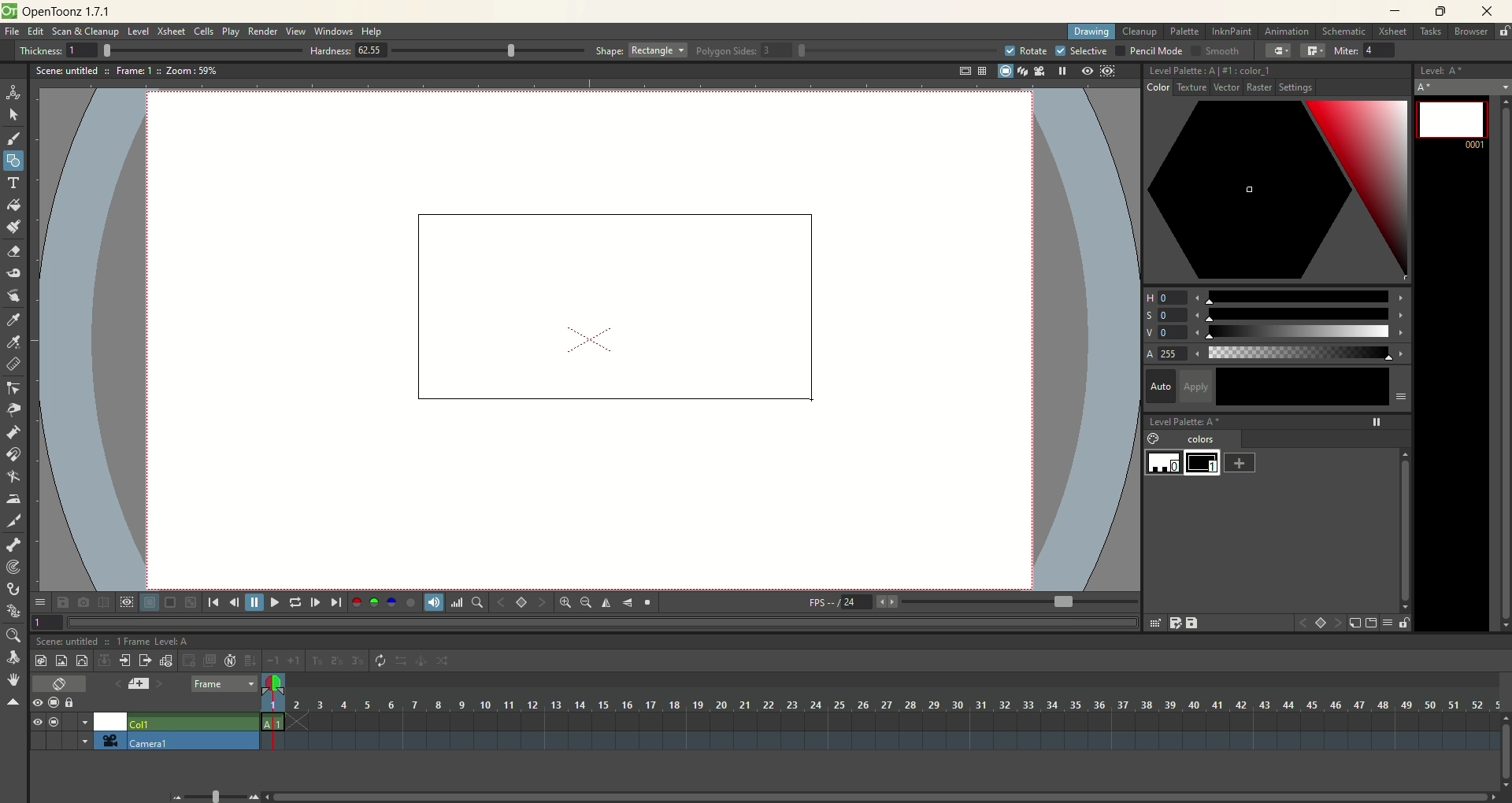  What do you see at coordinates (104, 660) in the screenshot?
I see `collapse` at bounding box center [104, 660].